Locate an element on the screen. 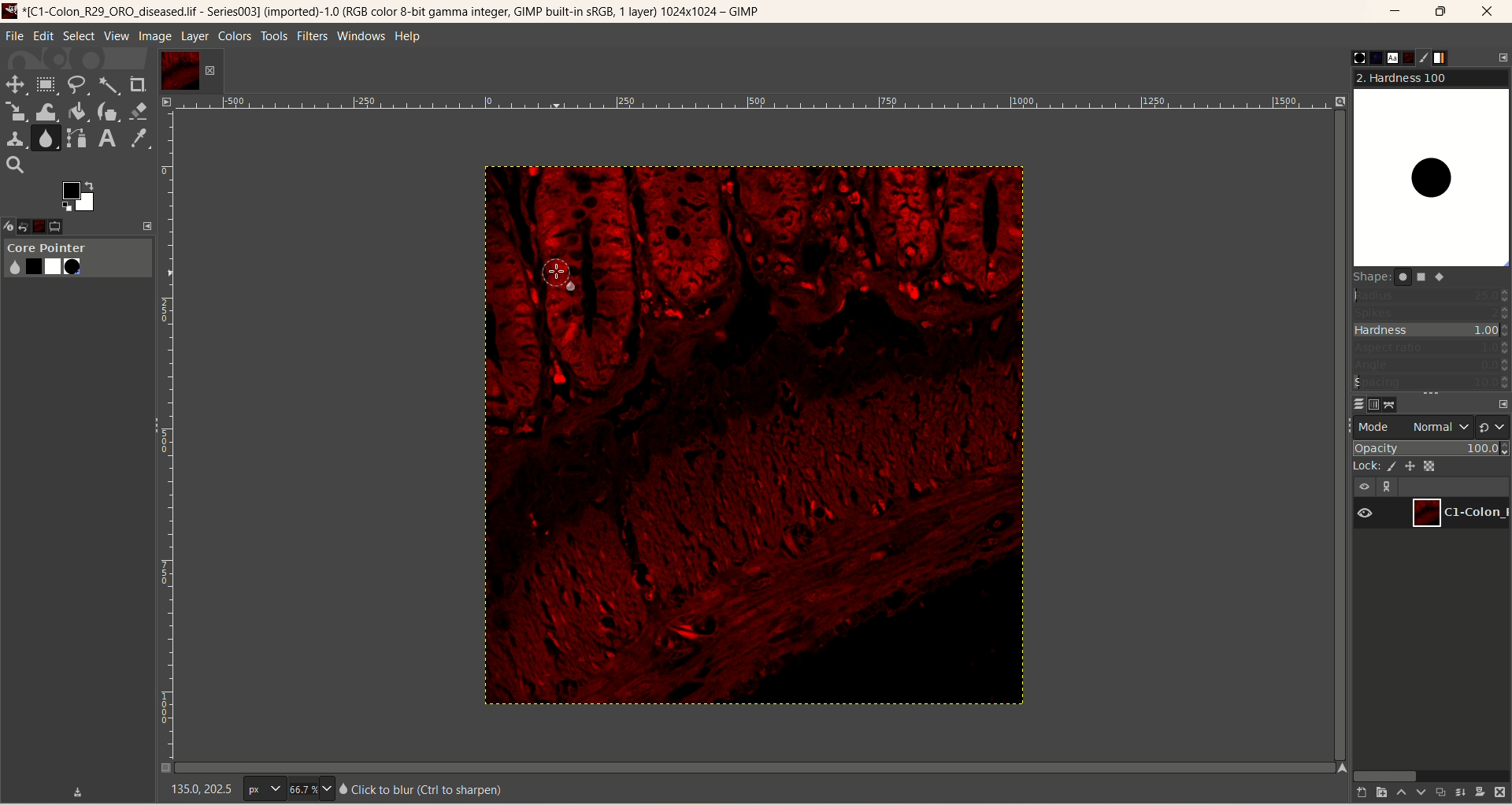  lower this layer one step is located at coordinates (1418, 794).